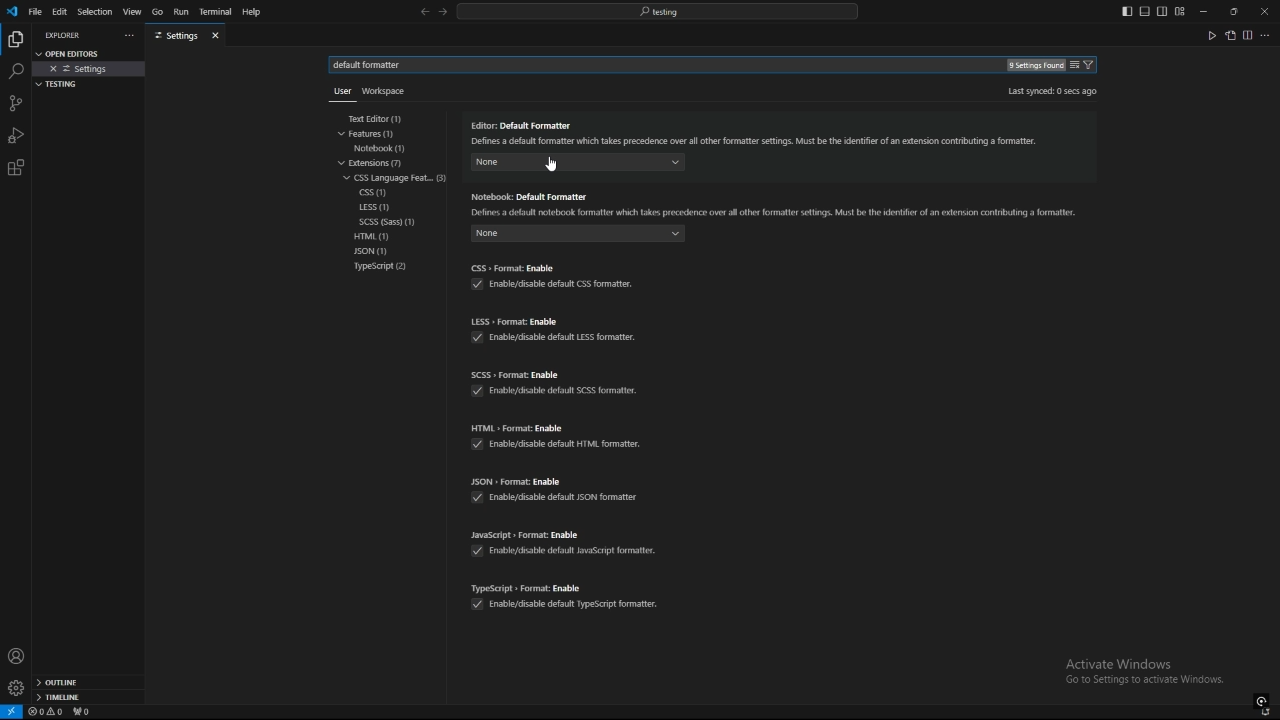 This screenshot has width=1280, height=720. Describe the element at coordinates (568, 584) in the screenshot. I see `typescript format enable` at that location.